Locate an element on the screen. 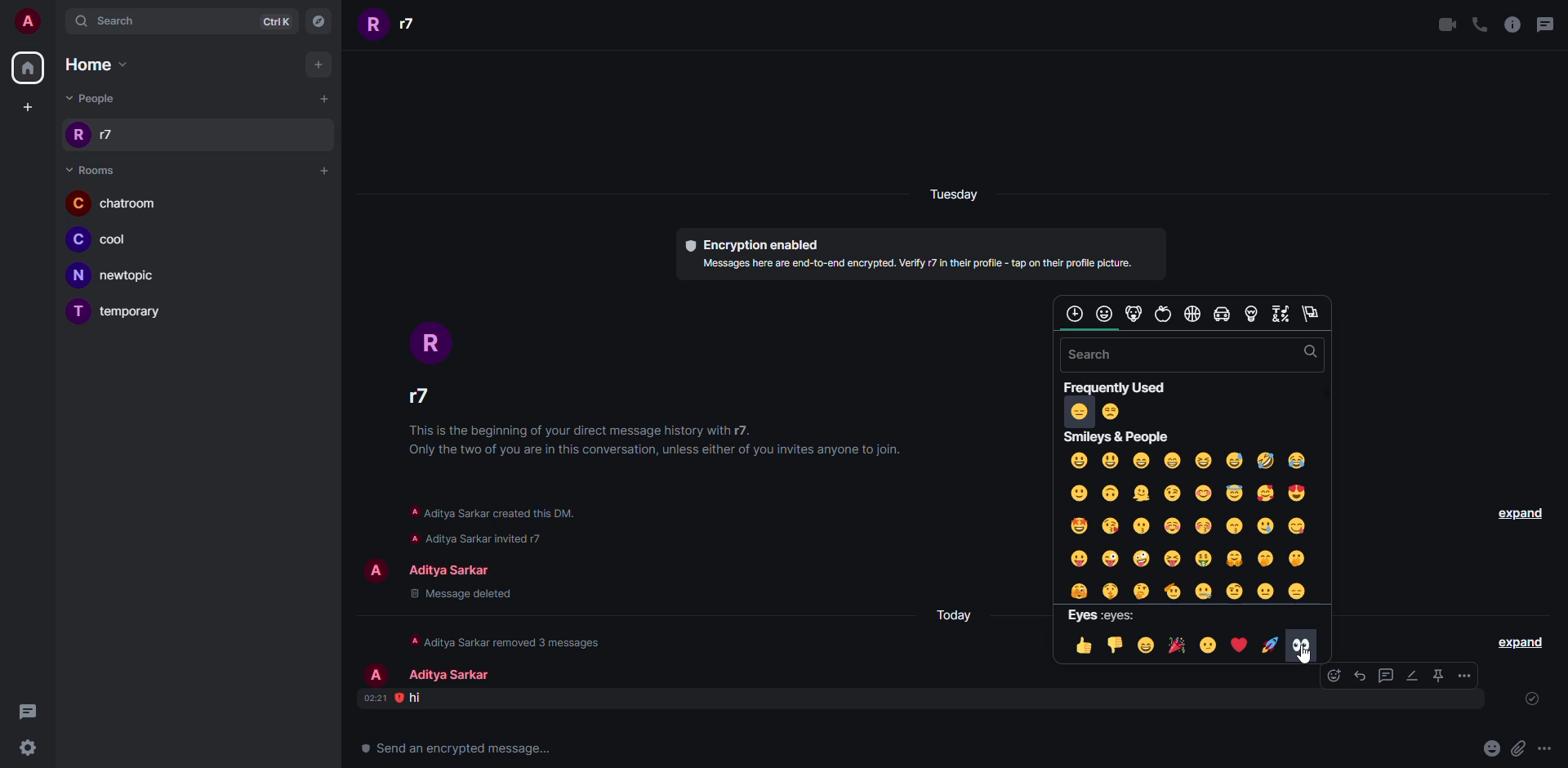  expand is located at coordinates (1515, 513).